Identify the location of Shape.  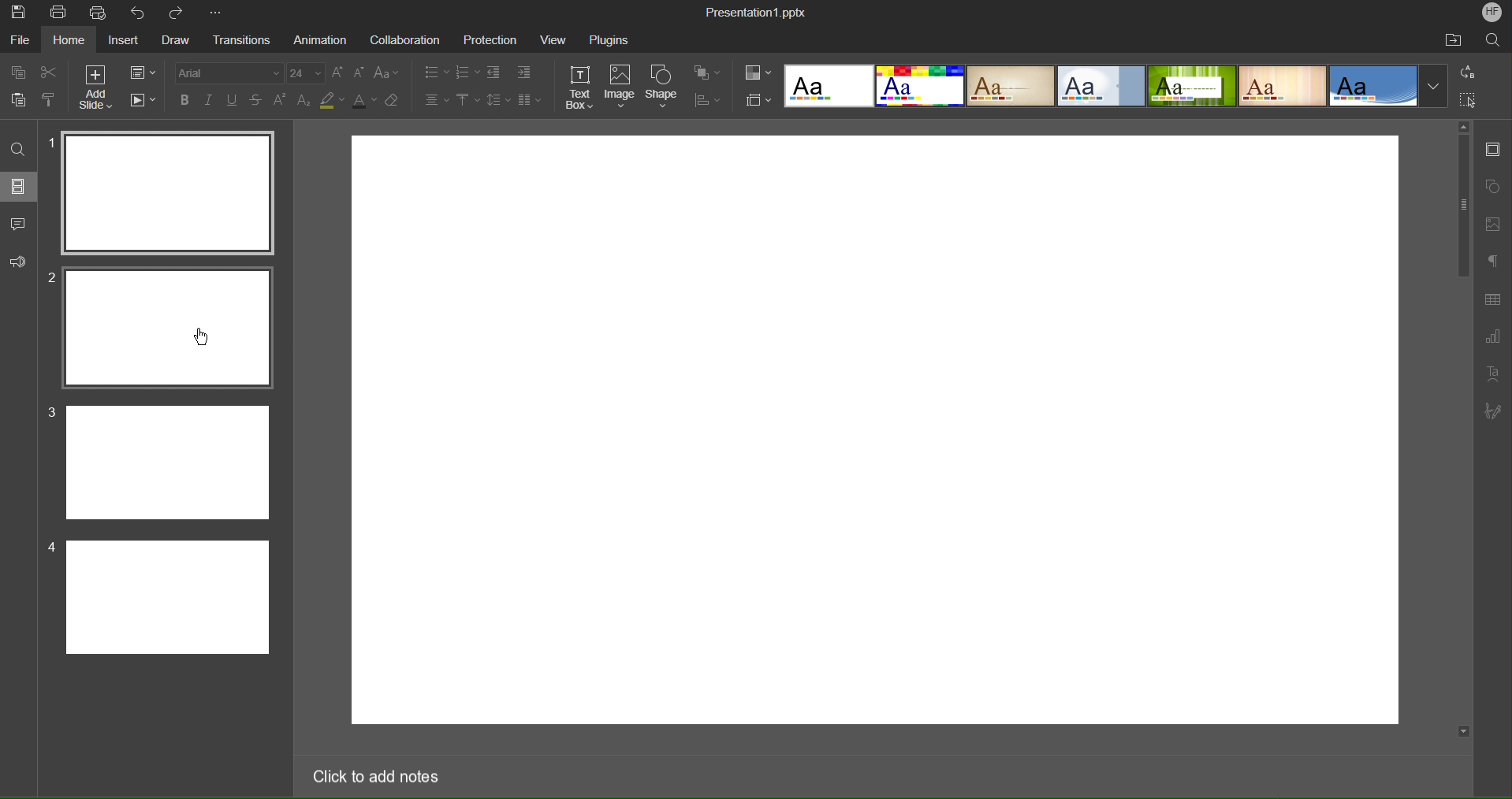
(661, 87).